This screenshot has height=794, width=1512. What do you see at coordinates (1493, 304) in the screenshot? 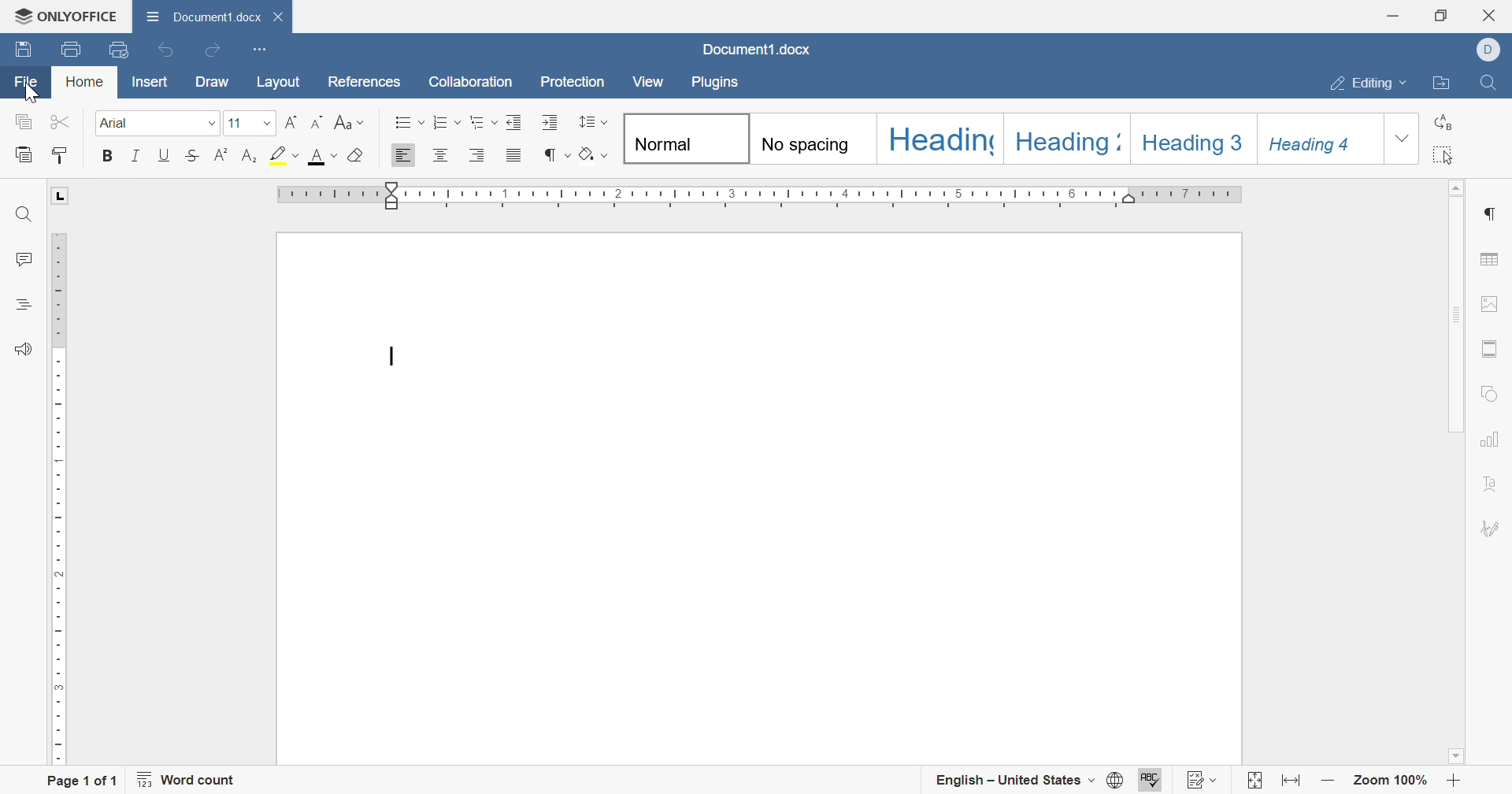
I see `image settings` at bounding box center [1493, 304].